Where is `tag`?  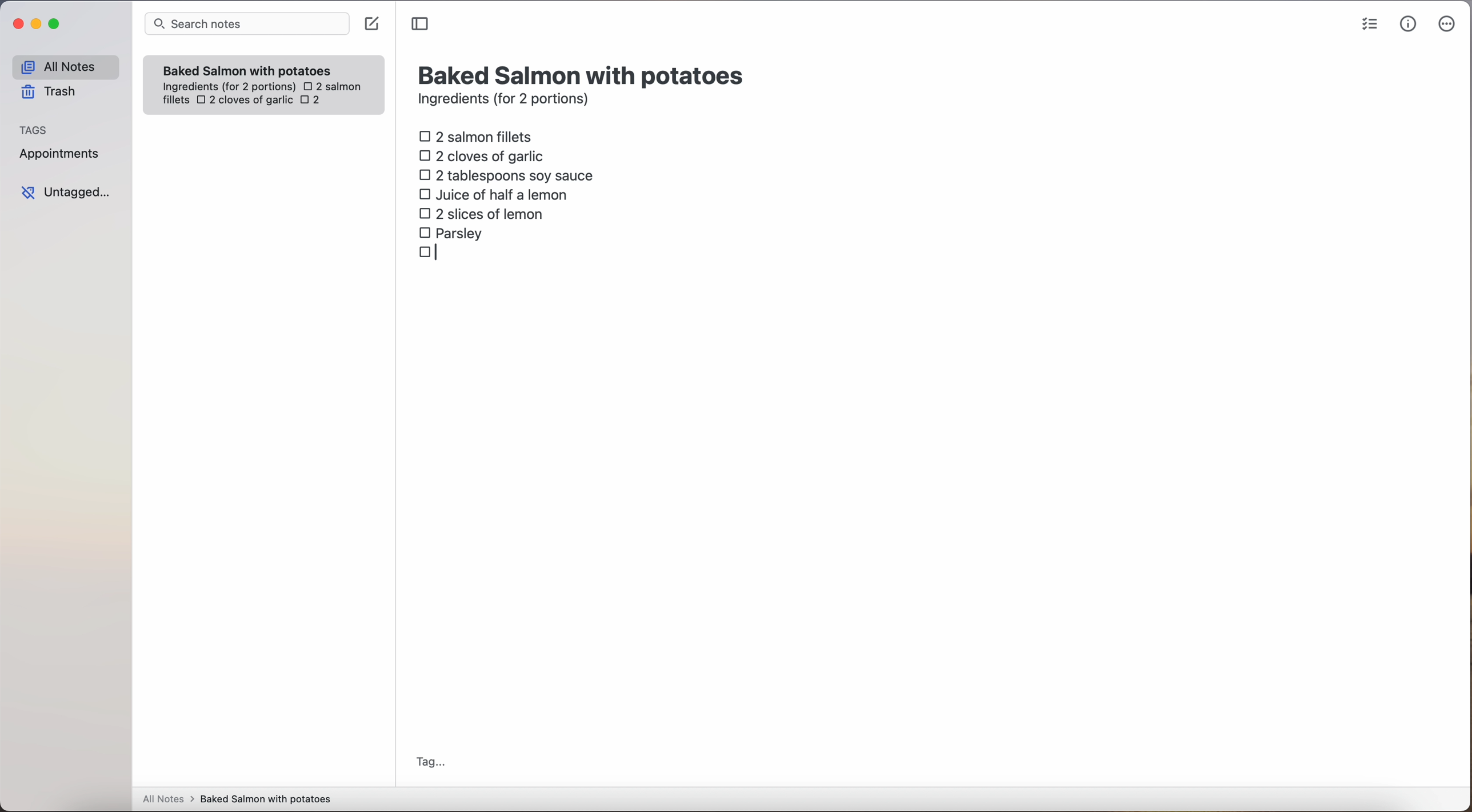
tag is located at coordinates (430, 763).